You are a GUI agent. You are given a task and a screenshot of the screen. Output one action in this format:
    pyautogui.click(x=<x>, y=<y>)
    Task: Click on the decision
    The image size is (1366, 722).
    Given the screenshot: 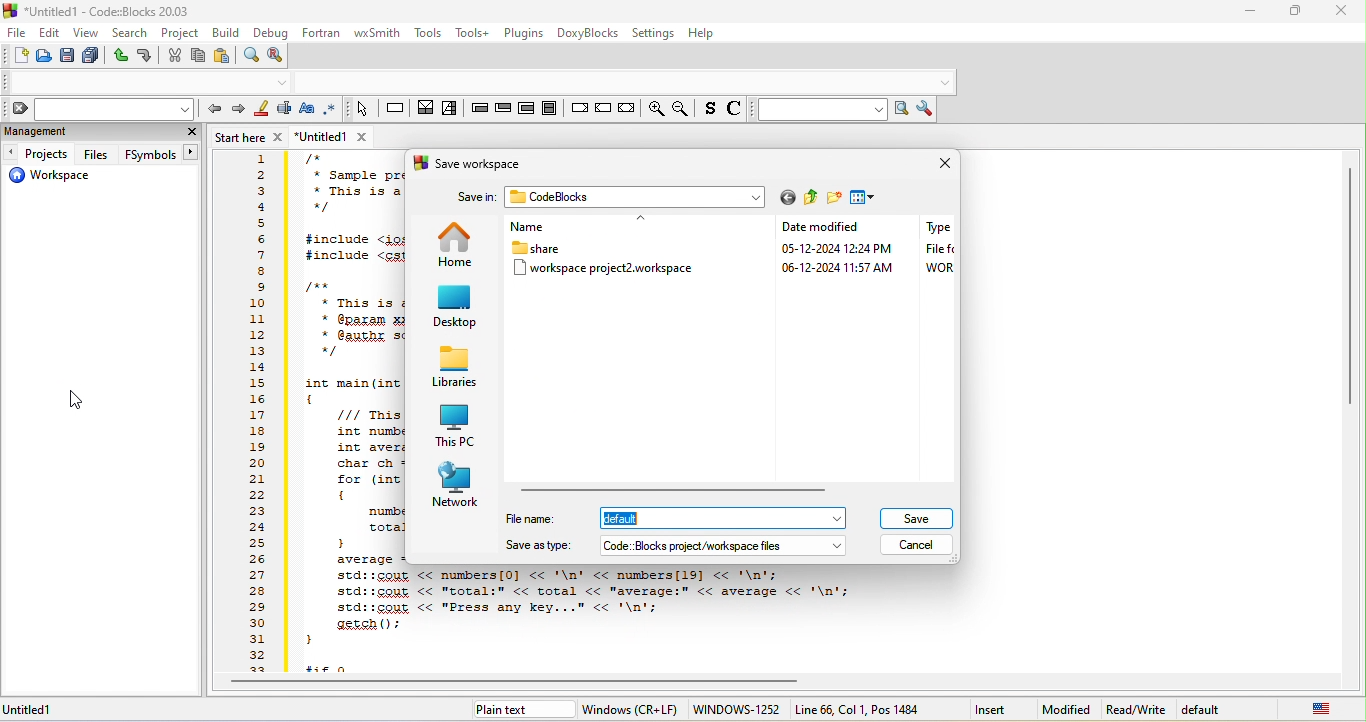 What is the action you would take?
    pyautogui.click(x=426, y=111)
    